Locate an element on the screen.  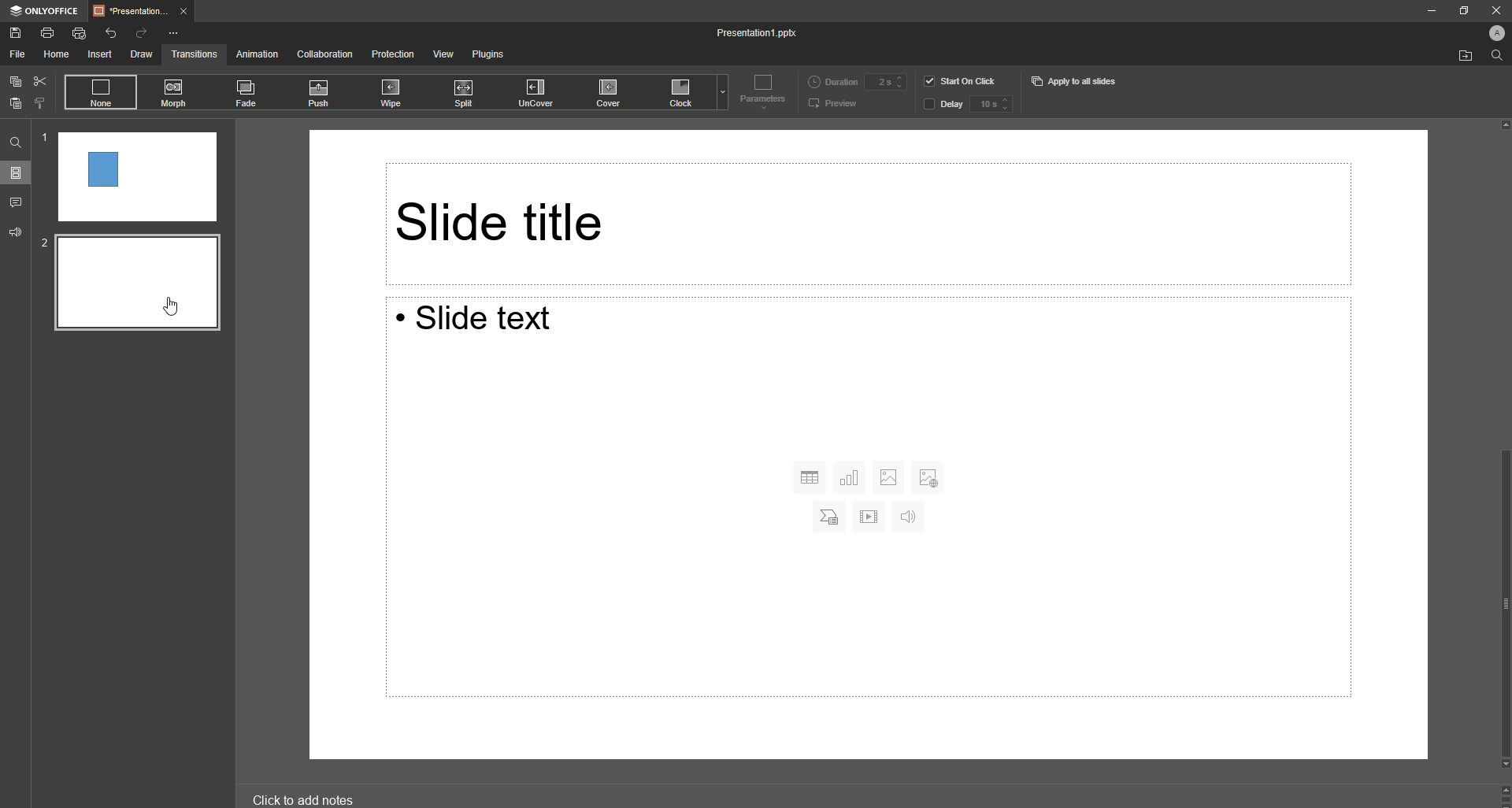
Paste is located at coordinates (15, 103).